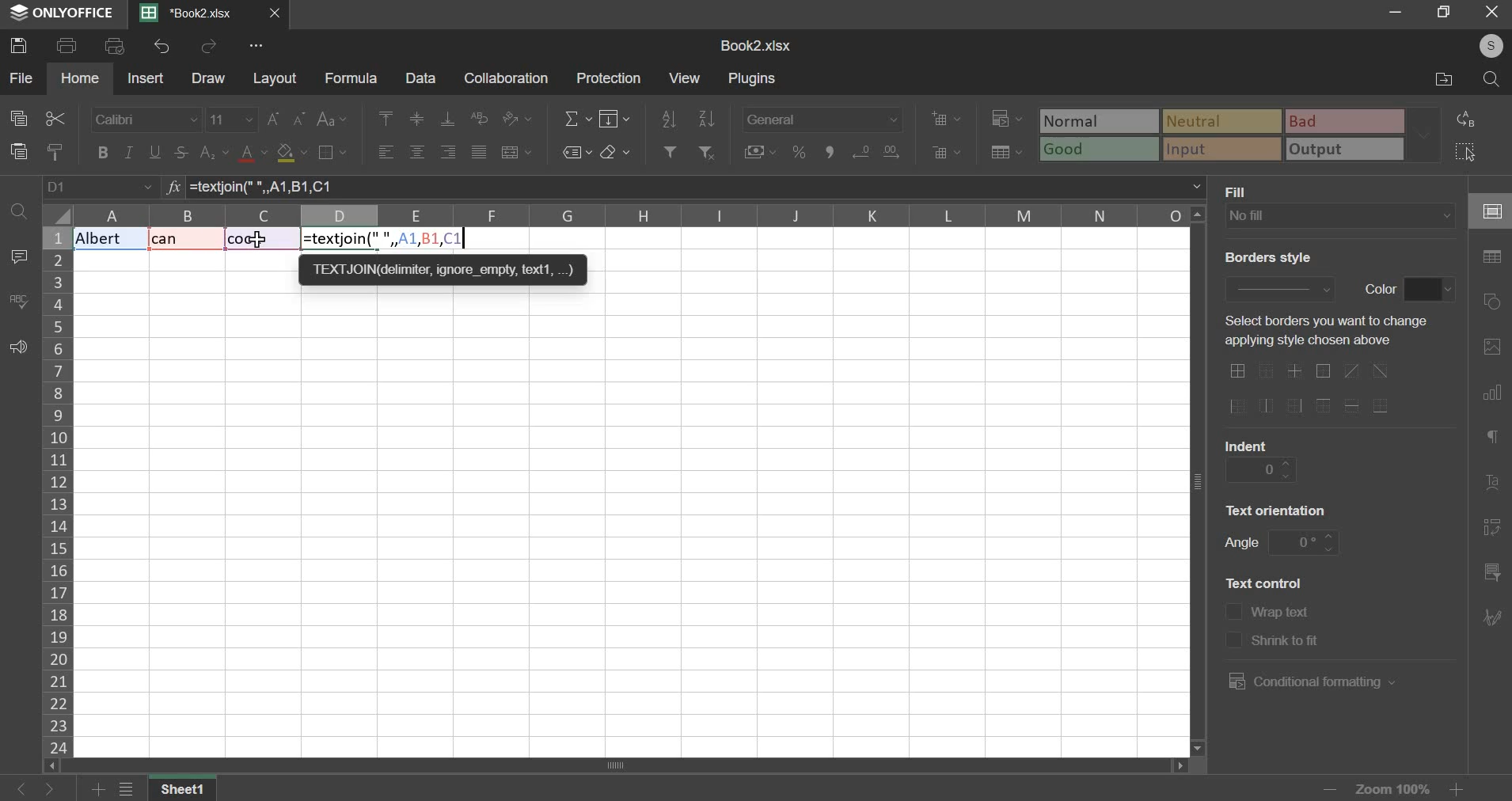  I want to click on paragraph, so click(1491, 439).